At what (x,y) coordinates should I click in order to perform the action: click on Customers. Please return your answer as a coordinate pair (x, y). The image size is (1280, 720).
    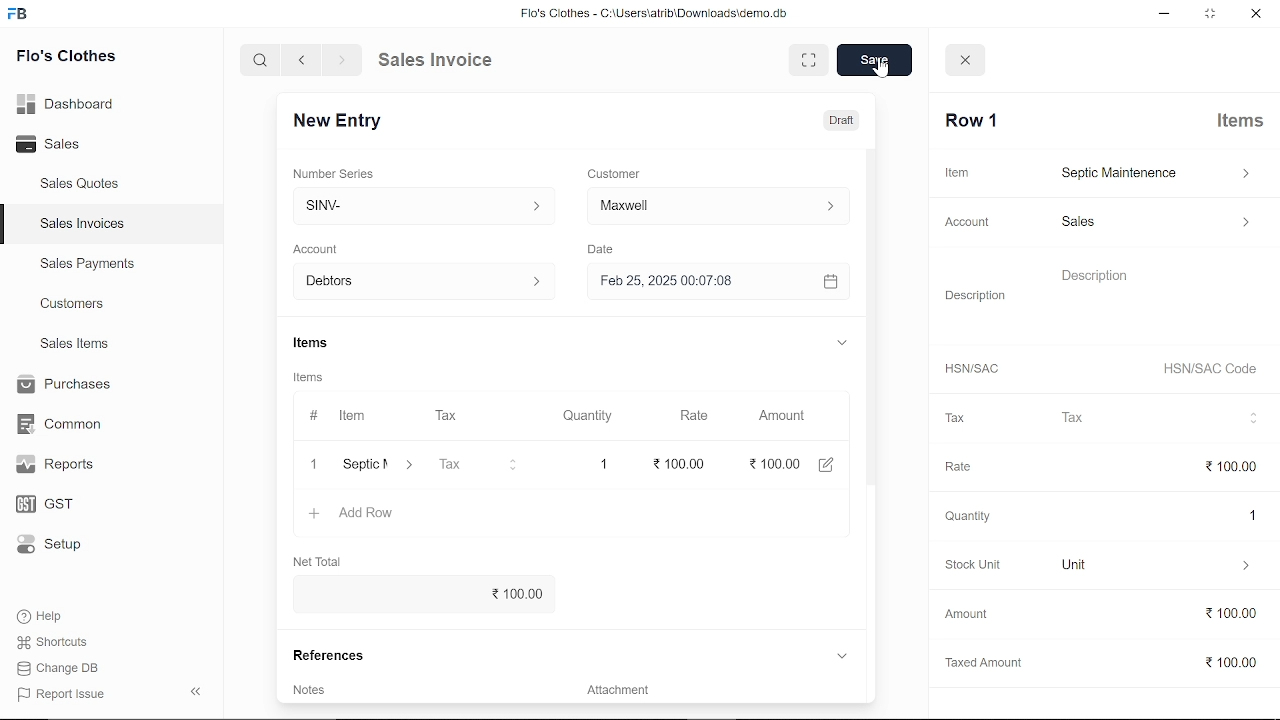
    Looking at the image, I should click on (74, 303).